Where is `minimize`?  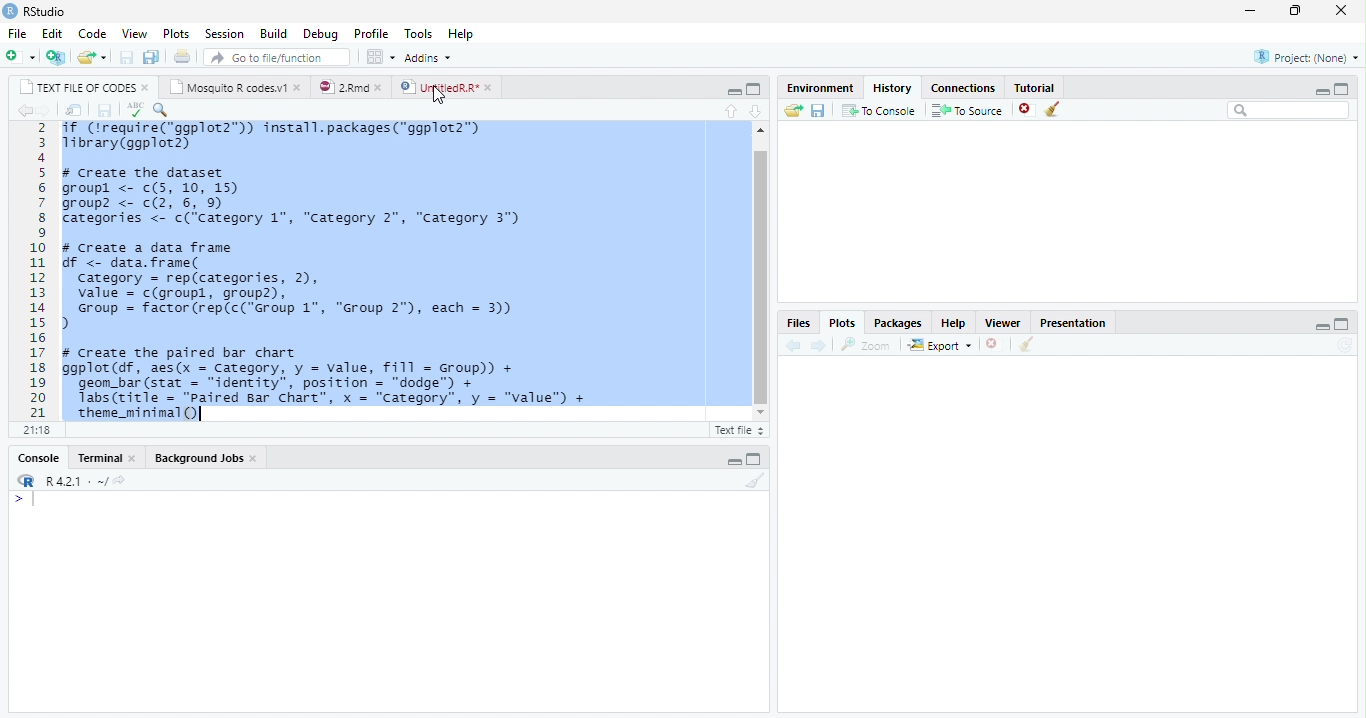
minimize is located at coordinates (734, 462).